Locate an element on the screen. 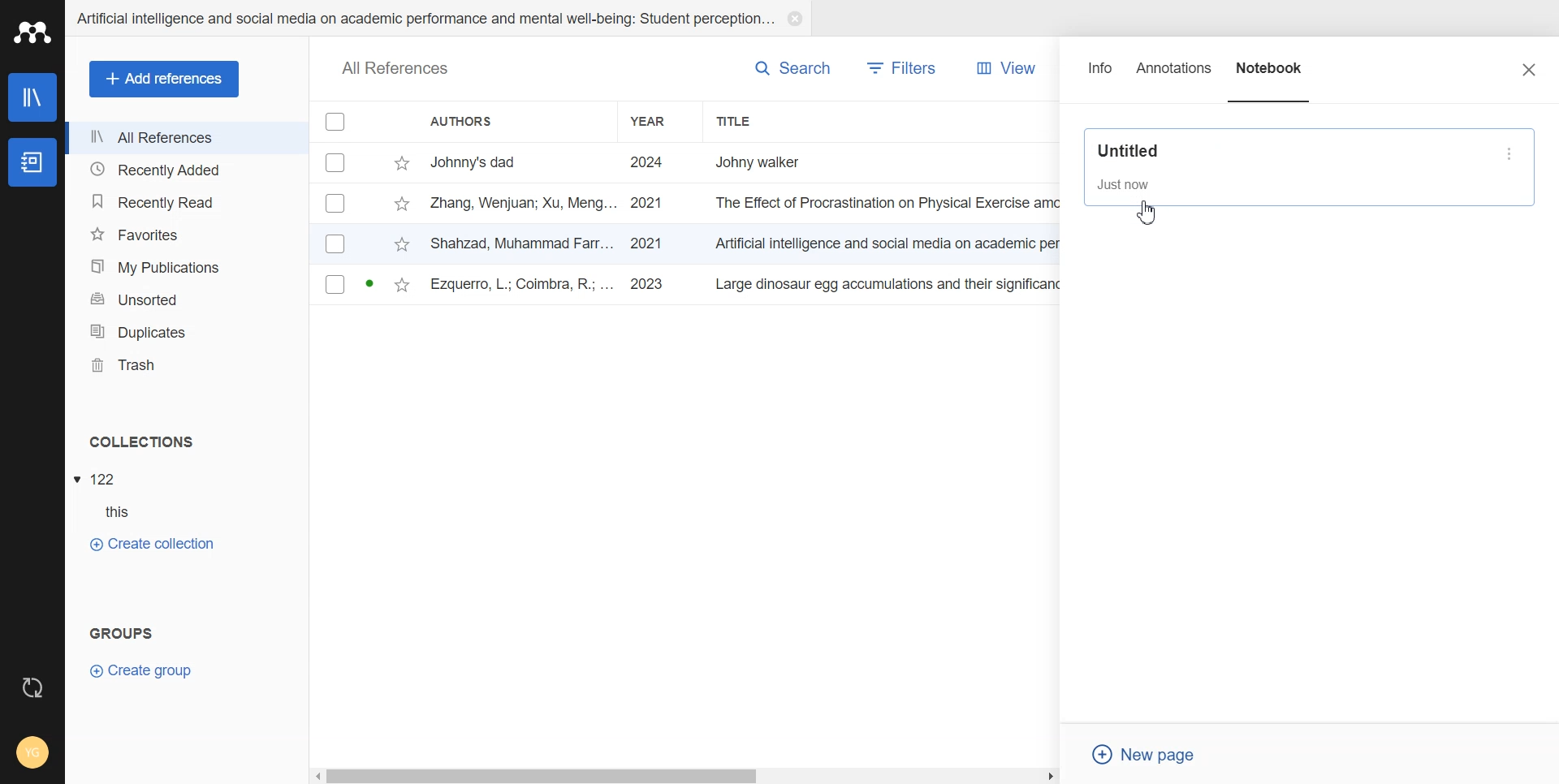  the effect of procrastination on physical exercise amo is located at coordinates (889, 203).